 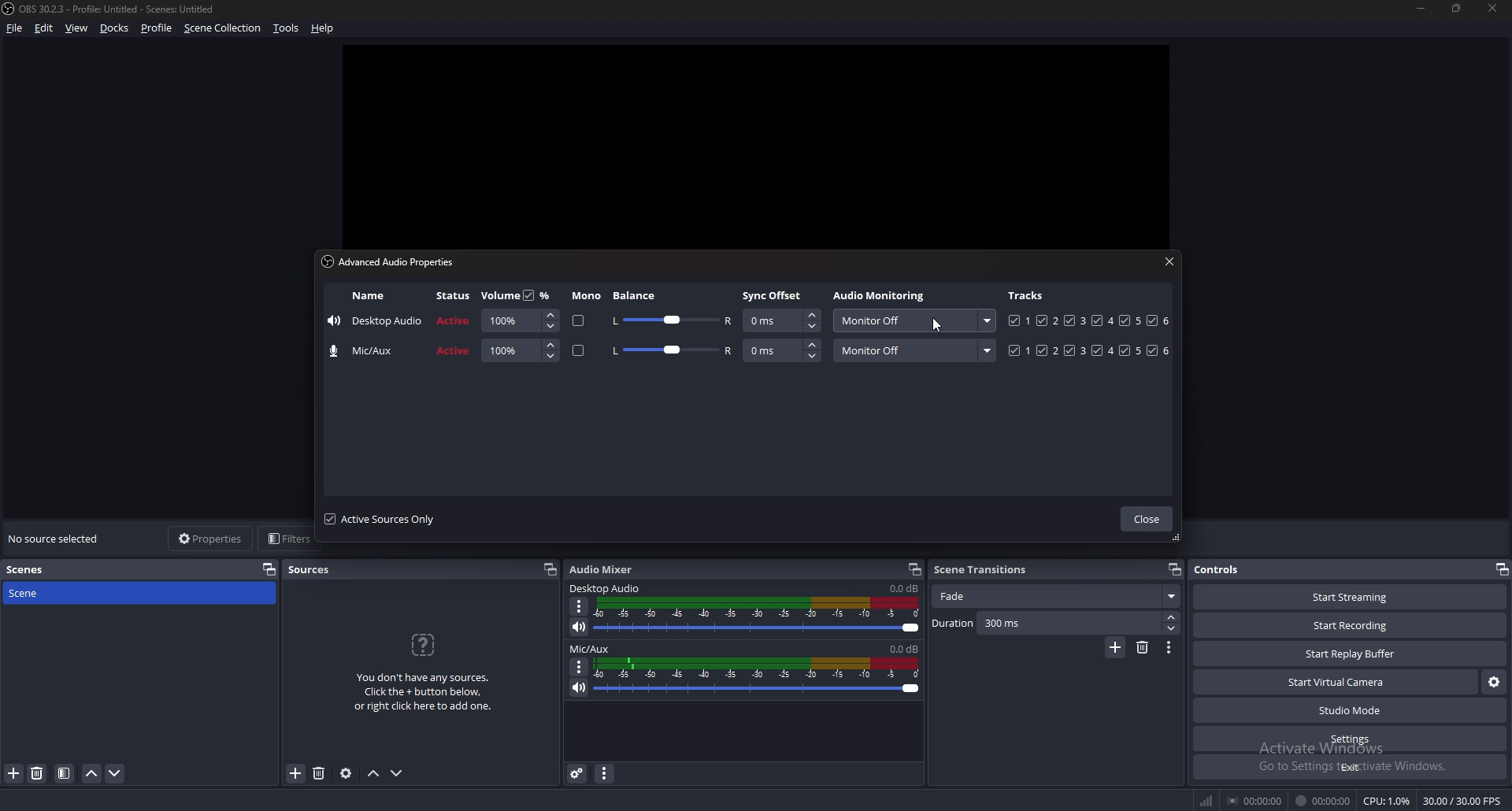 What do you see at coordinates (397, 772) in the screenshot?
I see `move source down` at bounding box center [397, 772].